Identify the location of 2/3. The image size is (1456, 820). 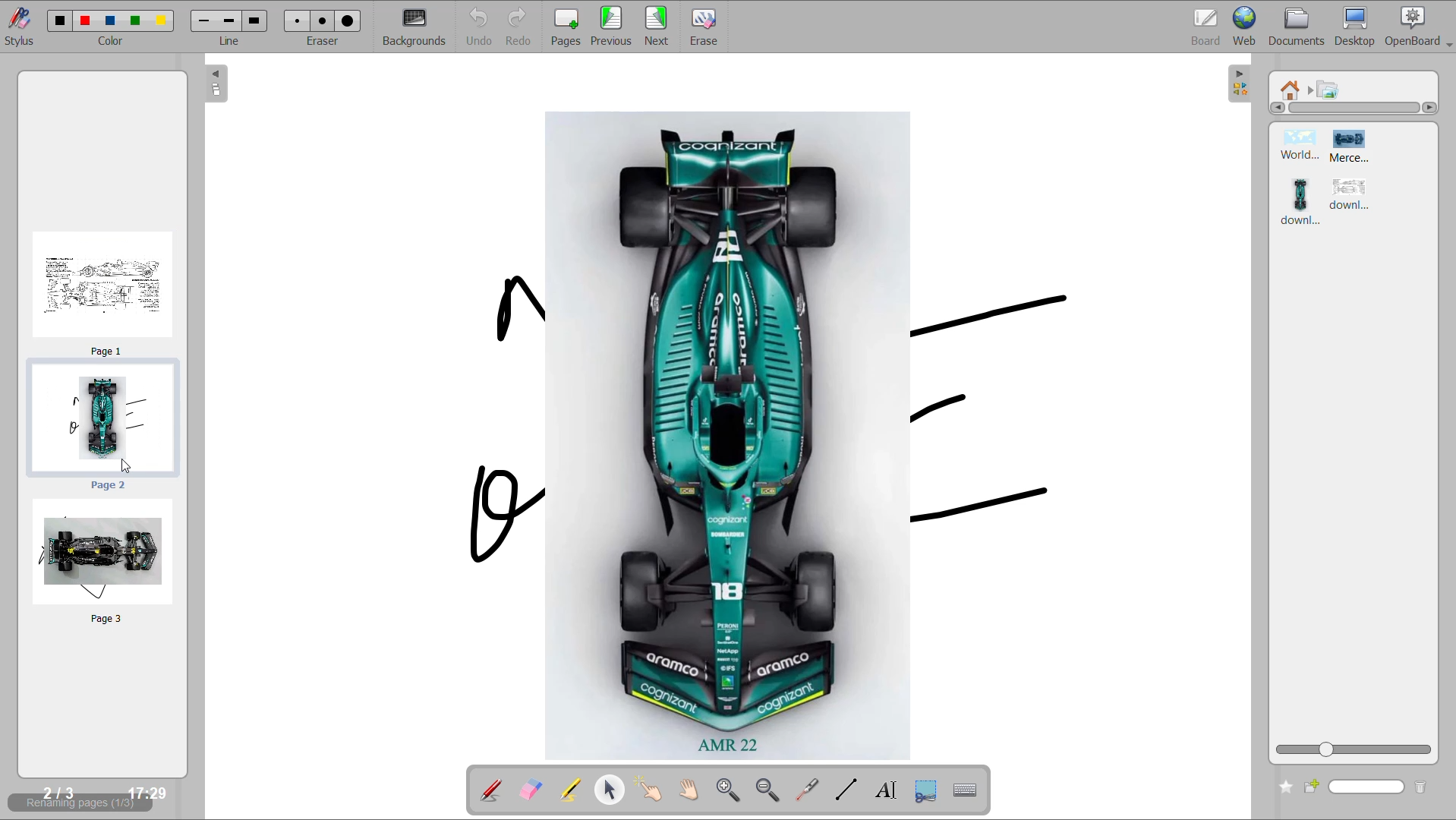
(56, 792).